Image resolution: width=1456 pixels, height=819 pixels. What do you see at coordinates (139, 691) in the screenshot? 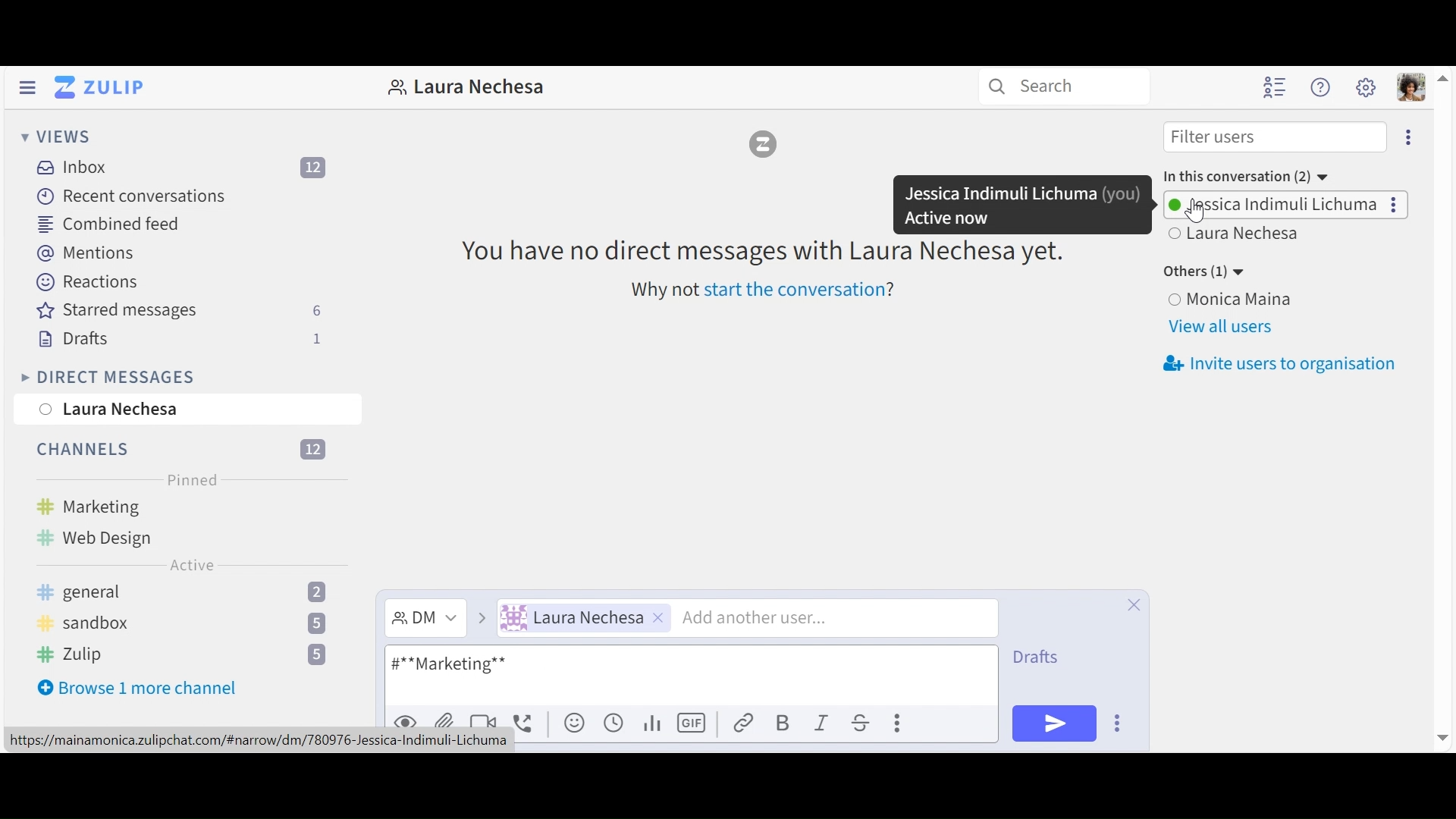
I see `Browse more channel` at bounding box center [139, 691].